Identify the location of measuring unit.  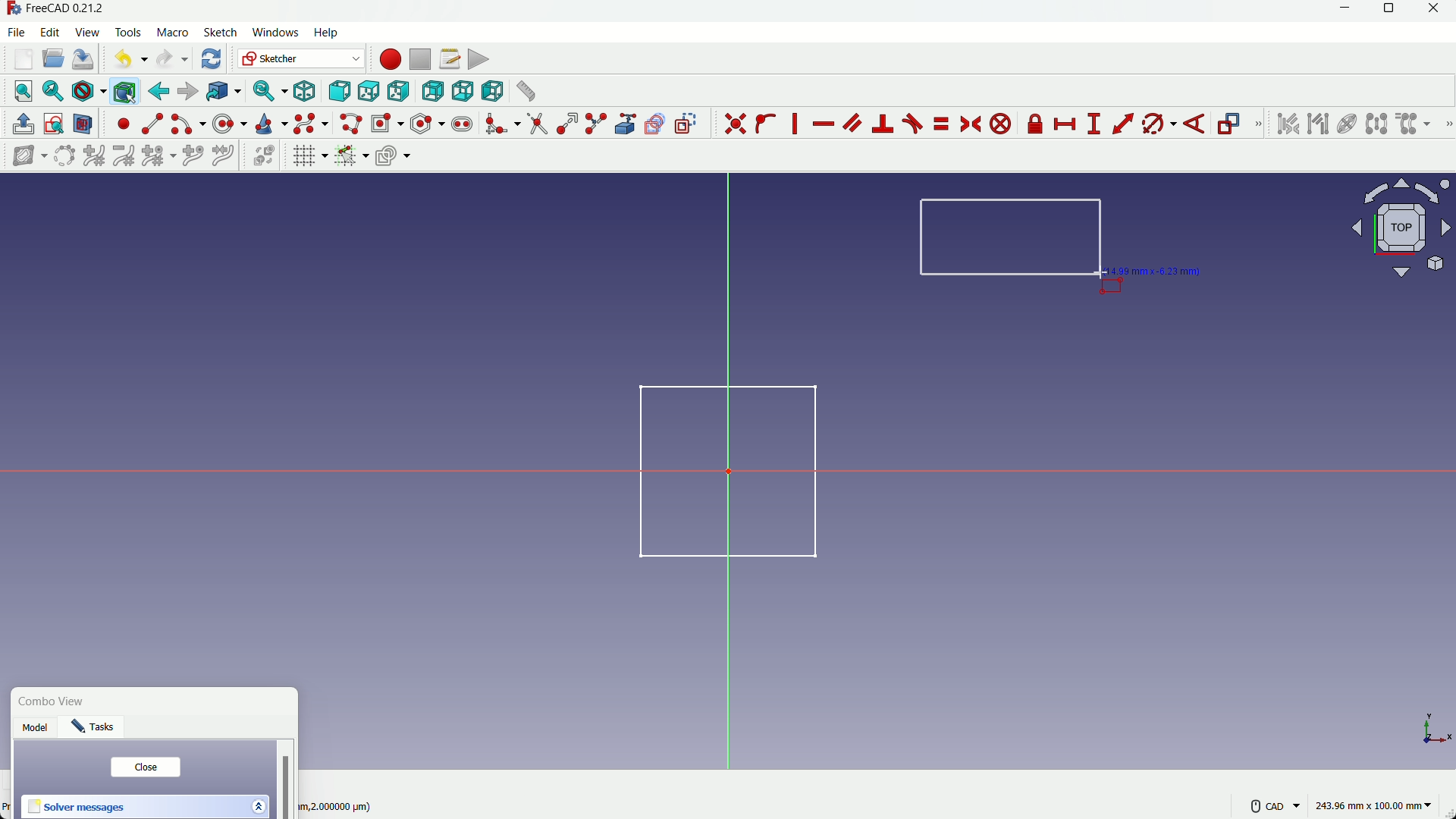
(1376, 806).